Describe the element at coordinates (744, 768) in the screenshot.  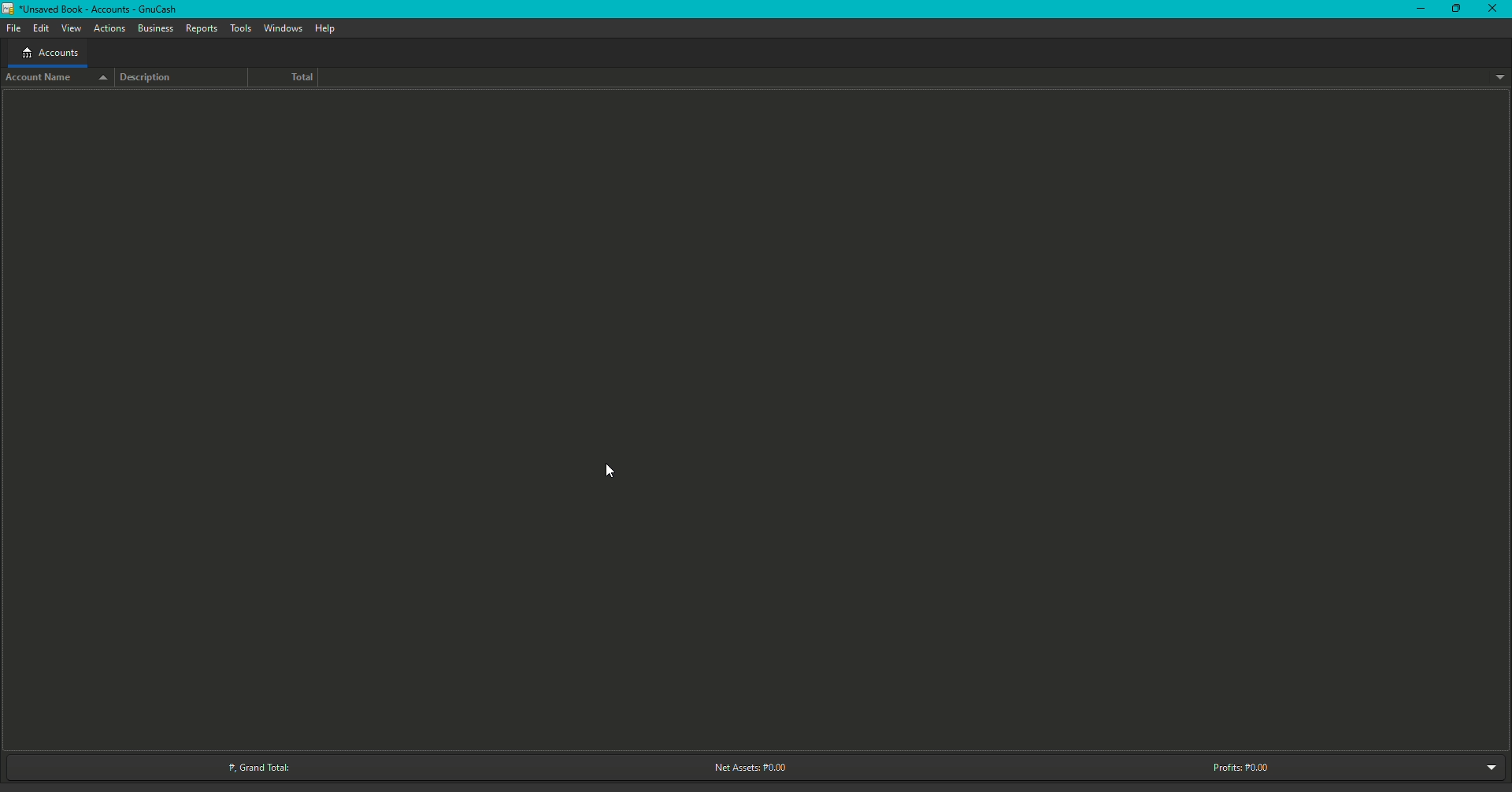
I see `Net Assets` at that location.